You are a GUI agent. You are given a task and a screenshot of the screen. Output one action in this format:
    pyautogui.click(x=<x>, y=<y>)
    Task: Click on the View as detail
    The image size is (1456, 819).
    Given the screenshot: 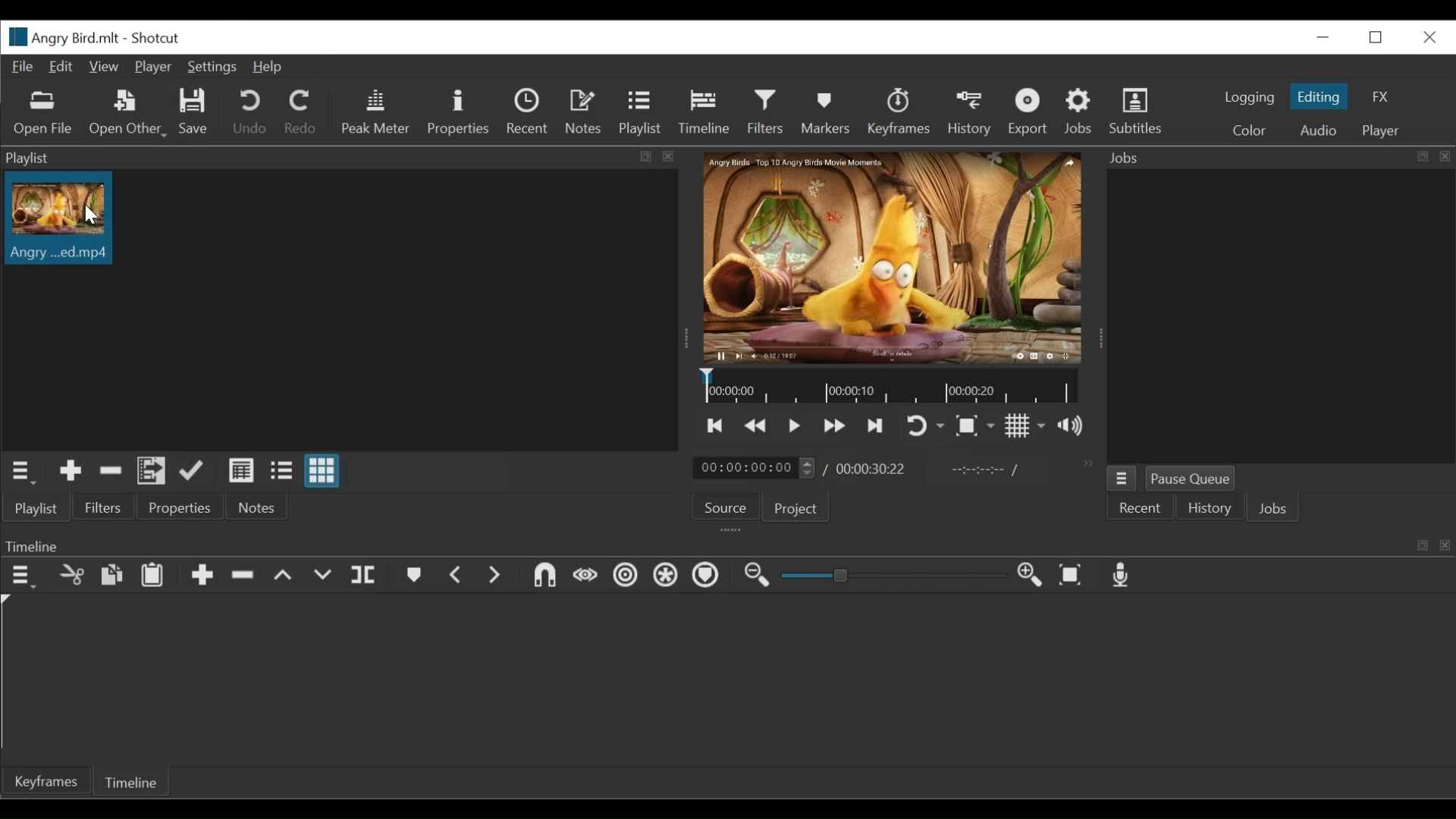 What is the action you would take?
    pyautogui.click(x=242, y=471)
    